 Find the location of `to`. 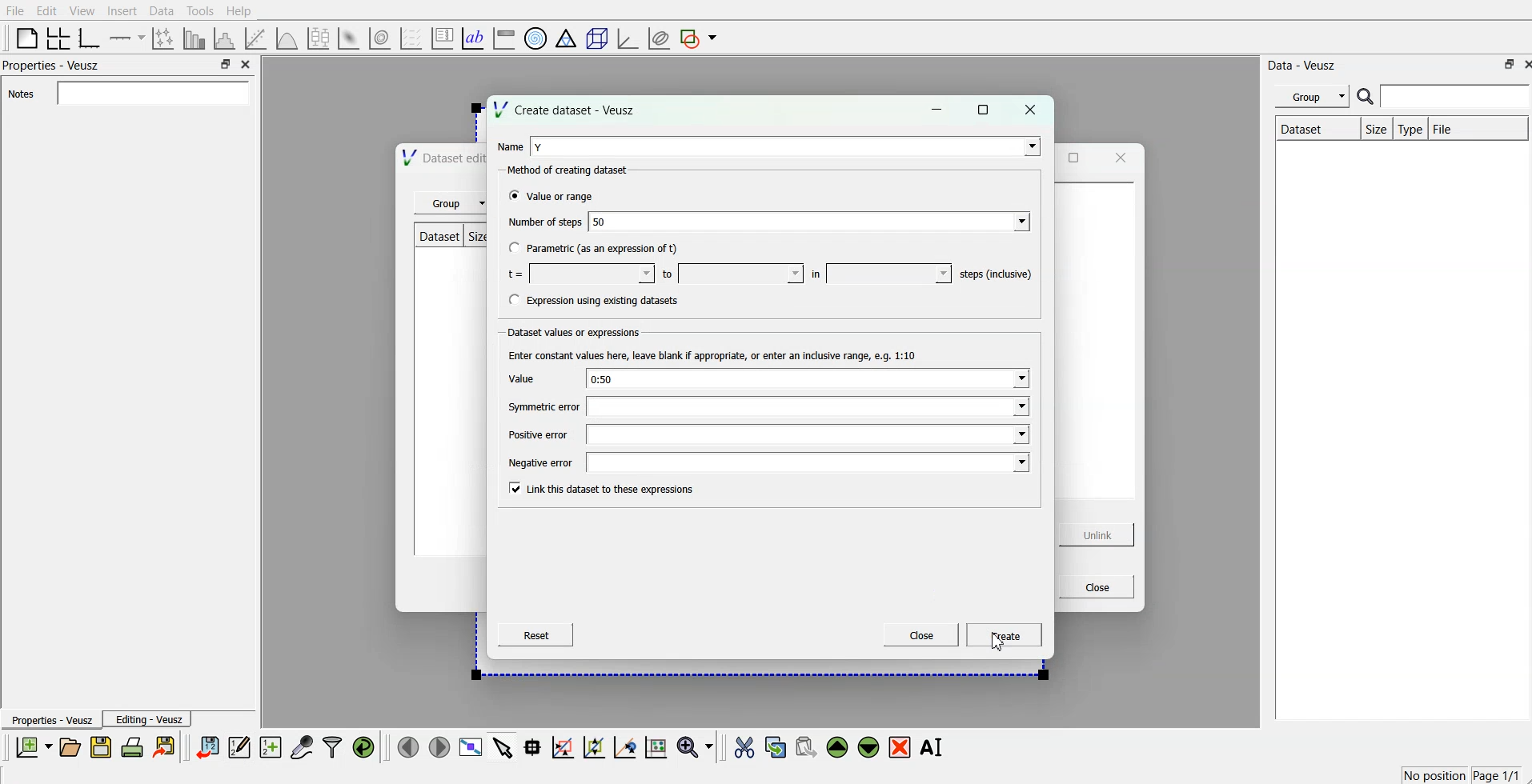

to is located at coordinates (667, 273).